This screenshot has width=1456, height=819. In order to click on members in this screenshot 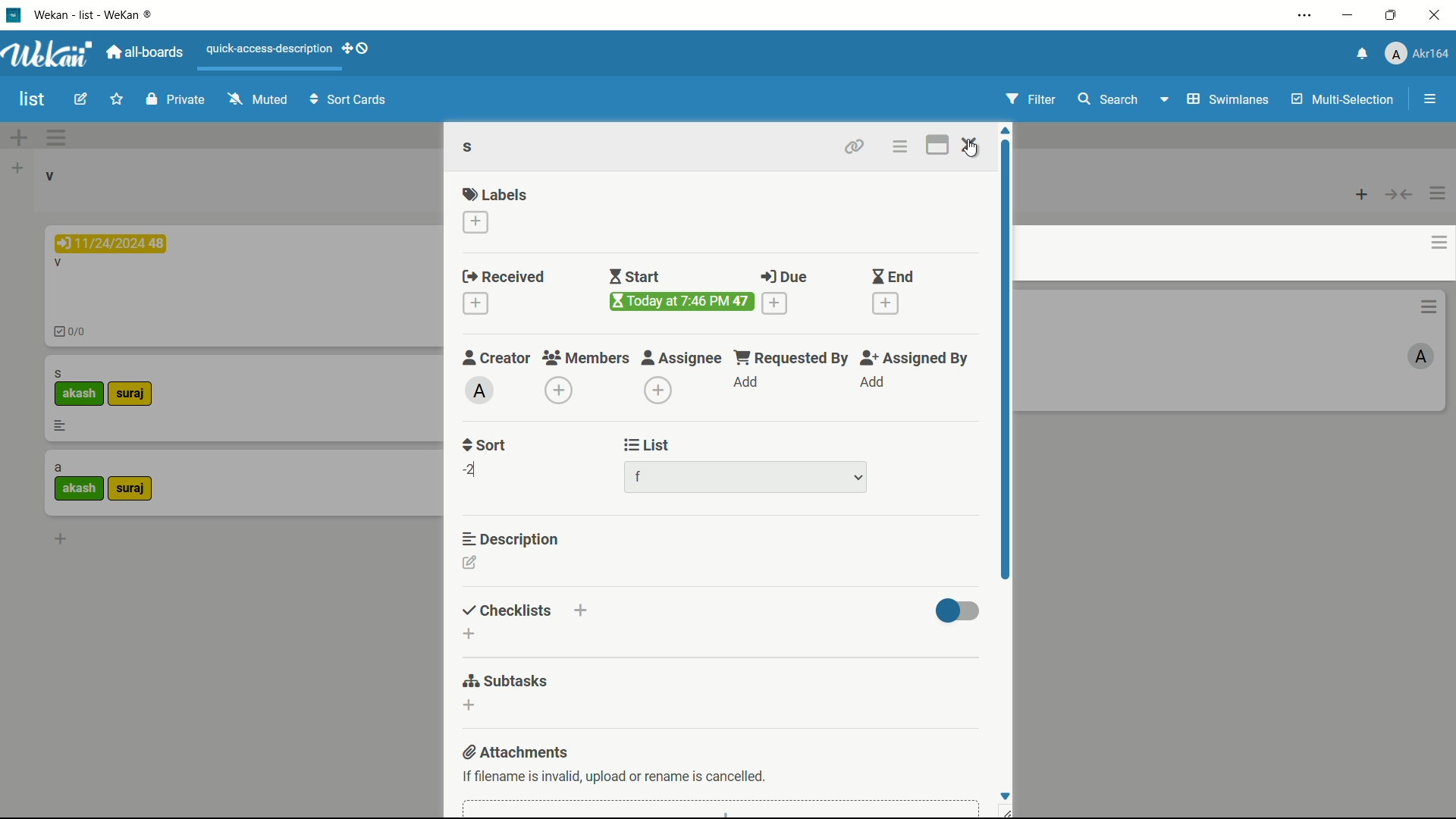, I will do `click(586, 359)`.